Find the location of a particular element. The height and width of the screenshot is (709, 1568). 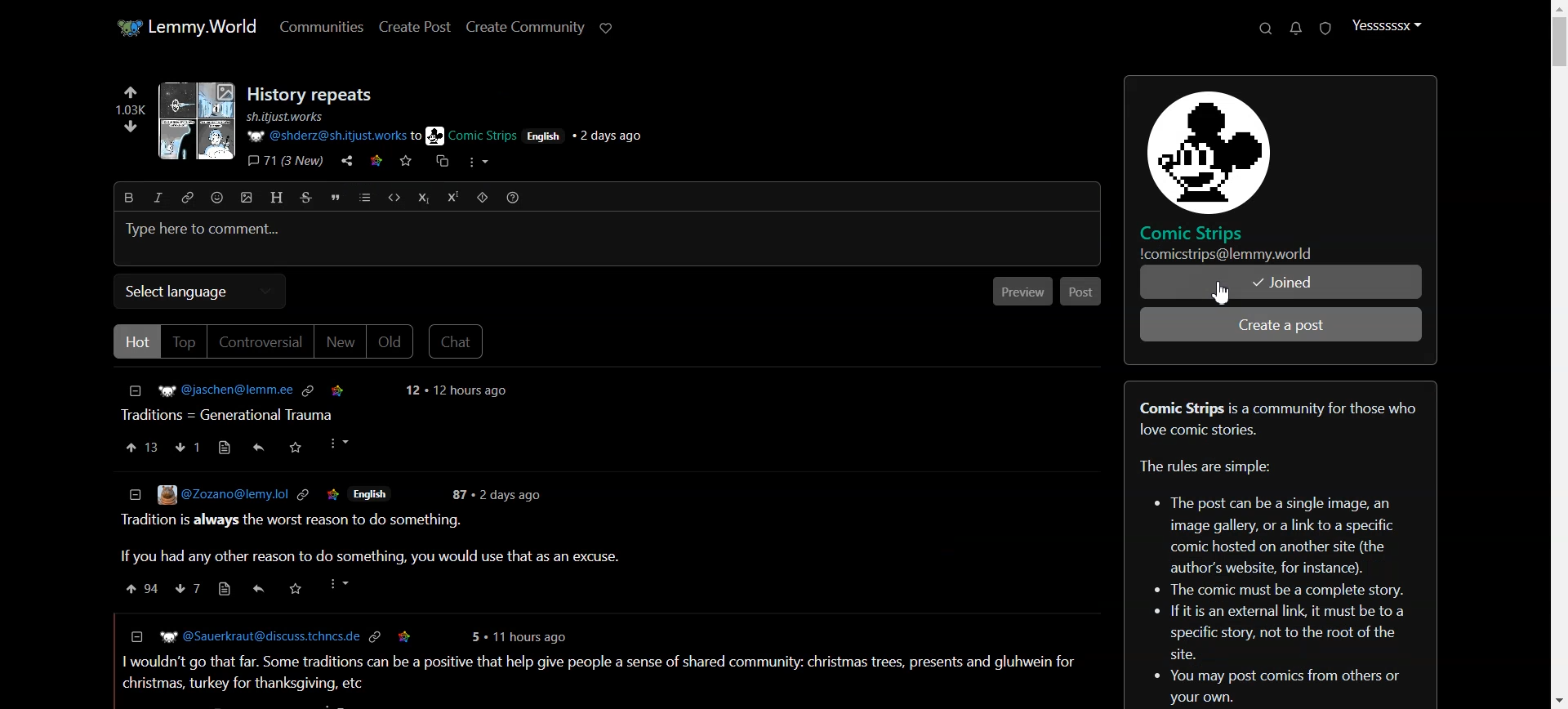

More is located at coordinates (337, 444).